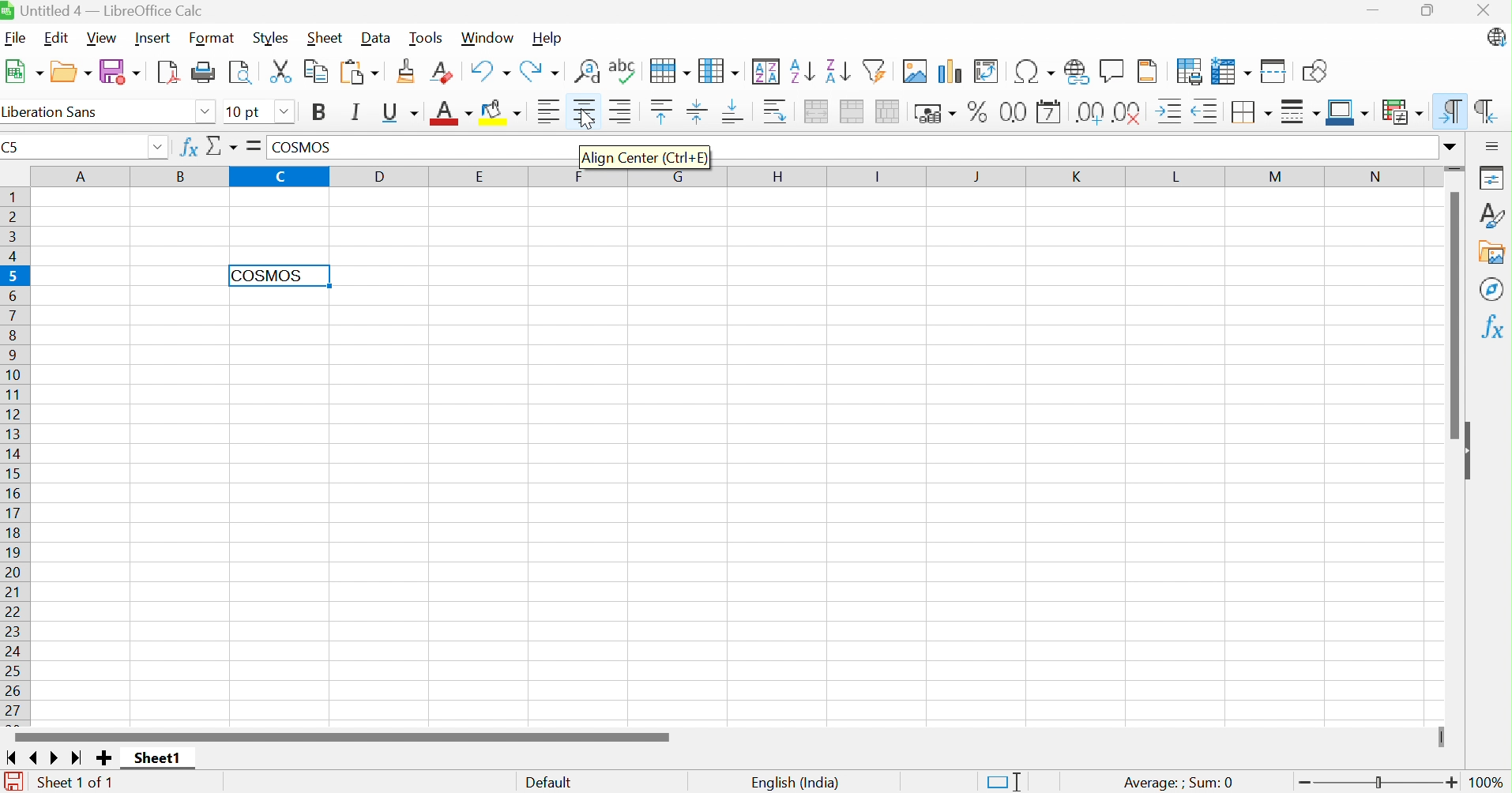 This screenshot has height=793, width=1512. Describe the element at coordinates (271, 38) in the screenshot. I see `Styles` at that location.